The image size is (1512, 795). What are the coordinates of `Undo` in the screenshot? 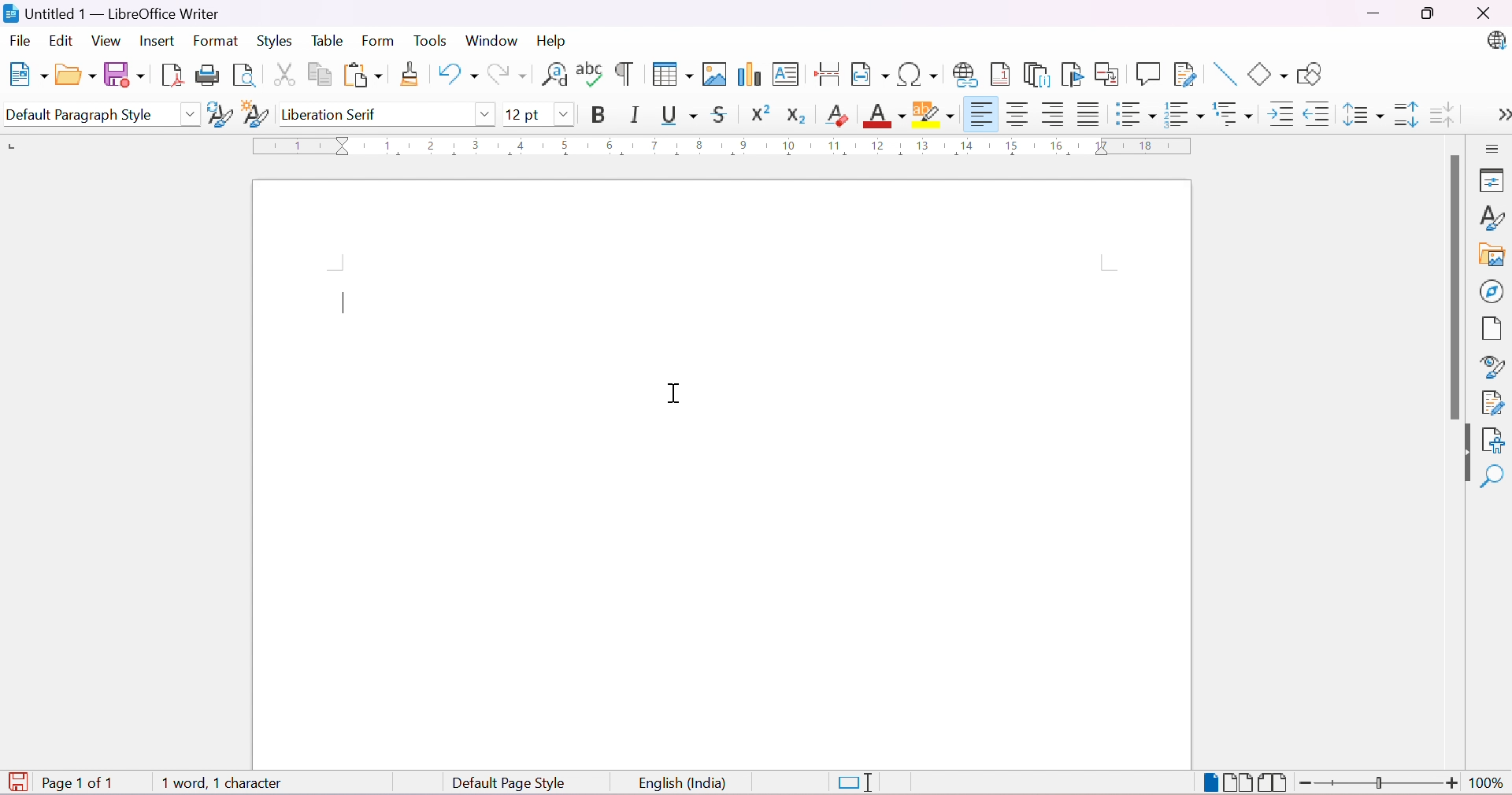 It's located at (454, 75).